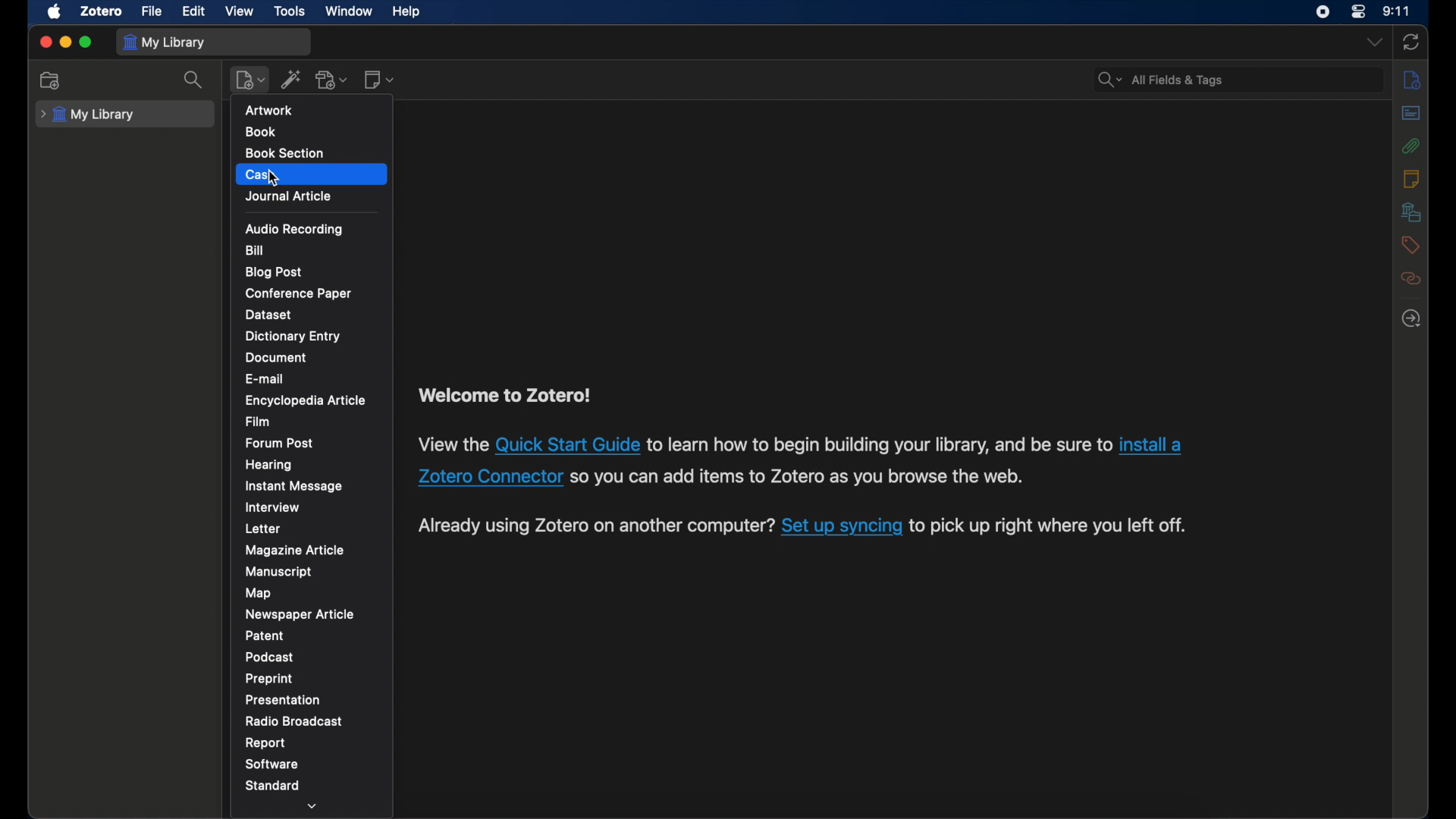 The width and height of the screenshot is (1456, 819). Describe the element at coordinates (1159, 80) in the screenshot. I see `search` at that location.